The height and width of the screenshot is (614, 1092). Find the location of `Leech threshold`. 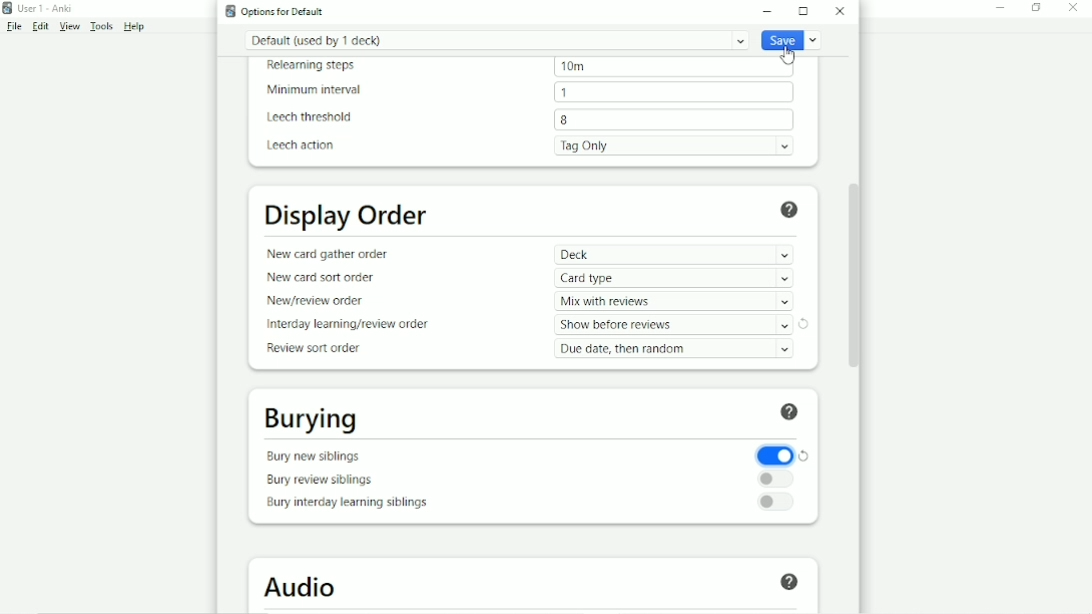

Leech threshold is located at coordinates (314, 118).